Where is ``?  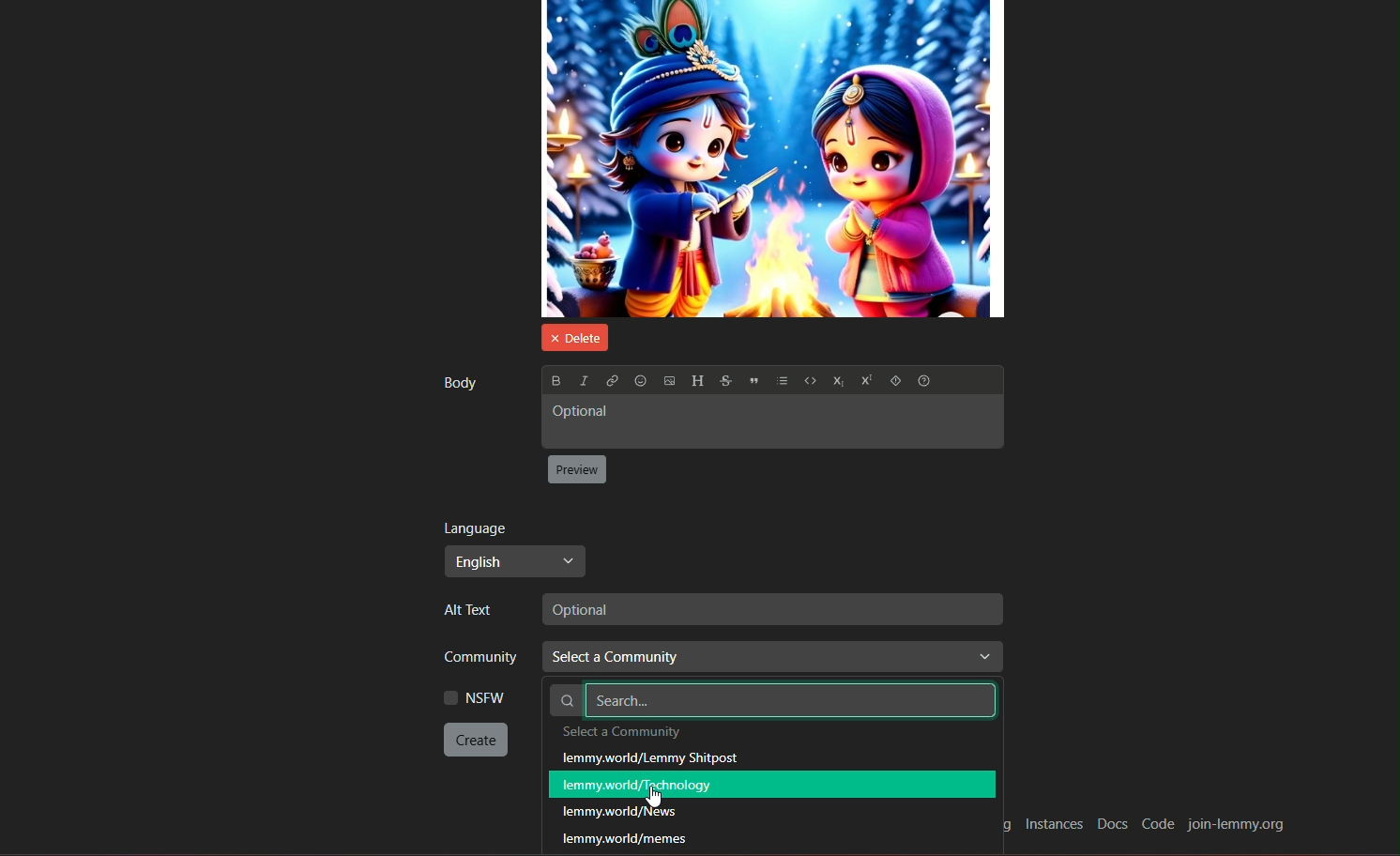  is located at coordinates (809, 383).